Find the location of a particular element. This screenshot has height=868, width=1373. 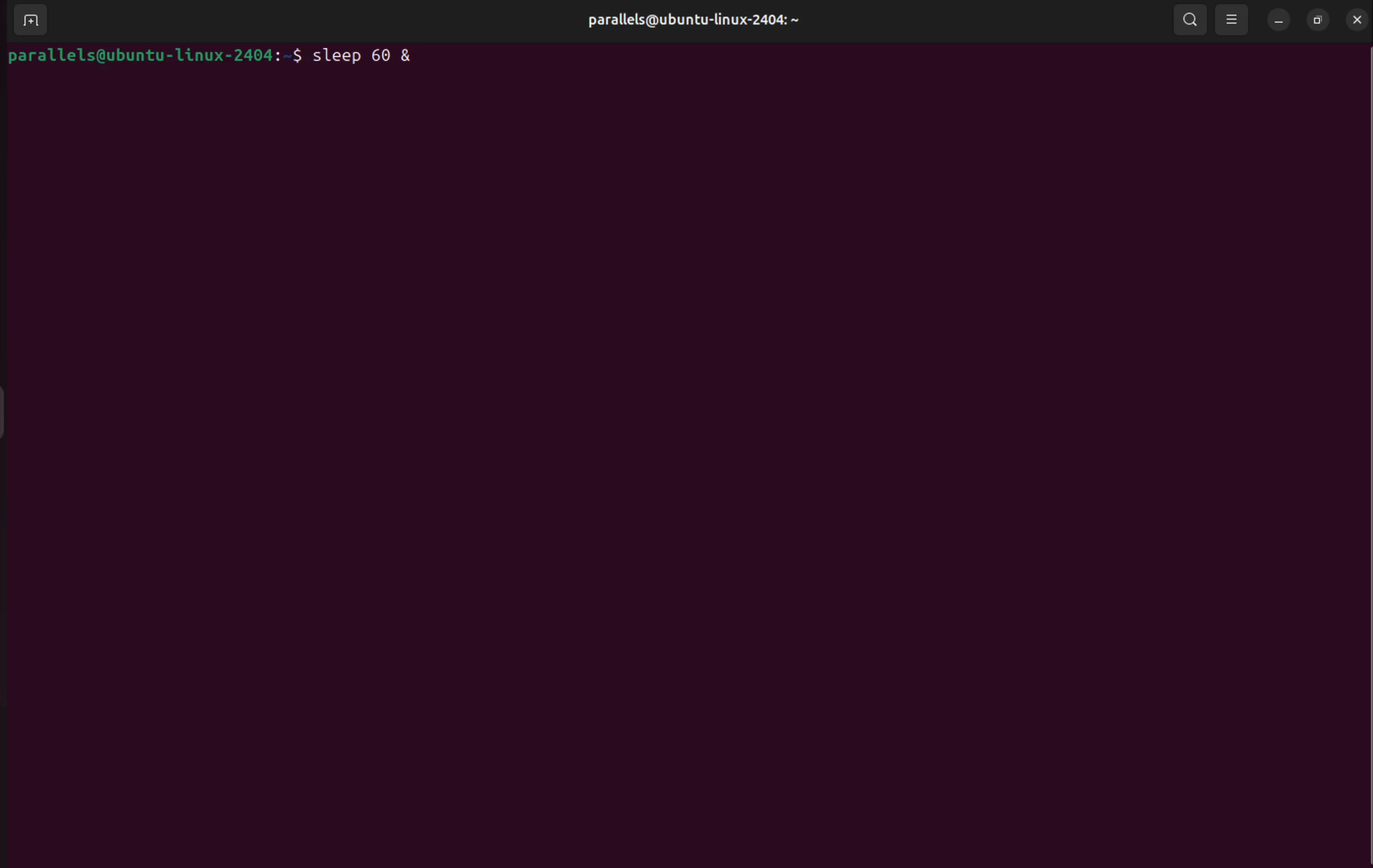

parallels@ubuntu-linux-2404: ~$ is located at coordinates (156, 55).